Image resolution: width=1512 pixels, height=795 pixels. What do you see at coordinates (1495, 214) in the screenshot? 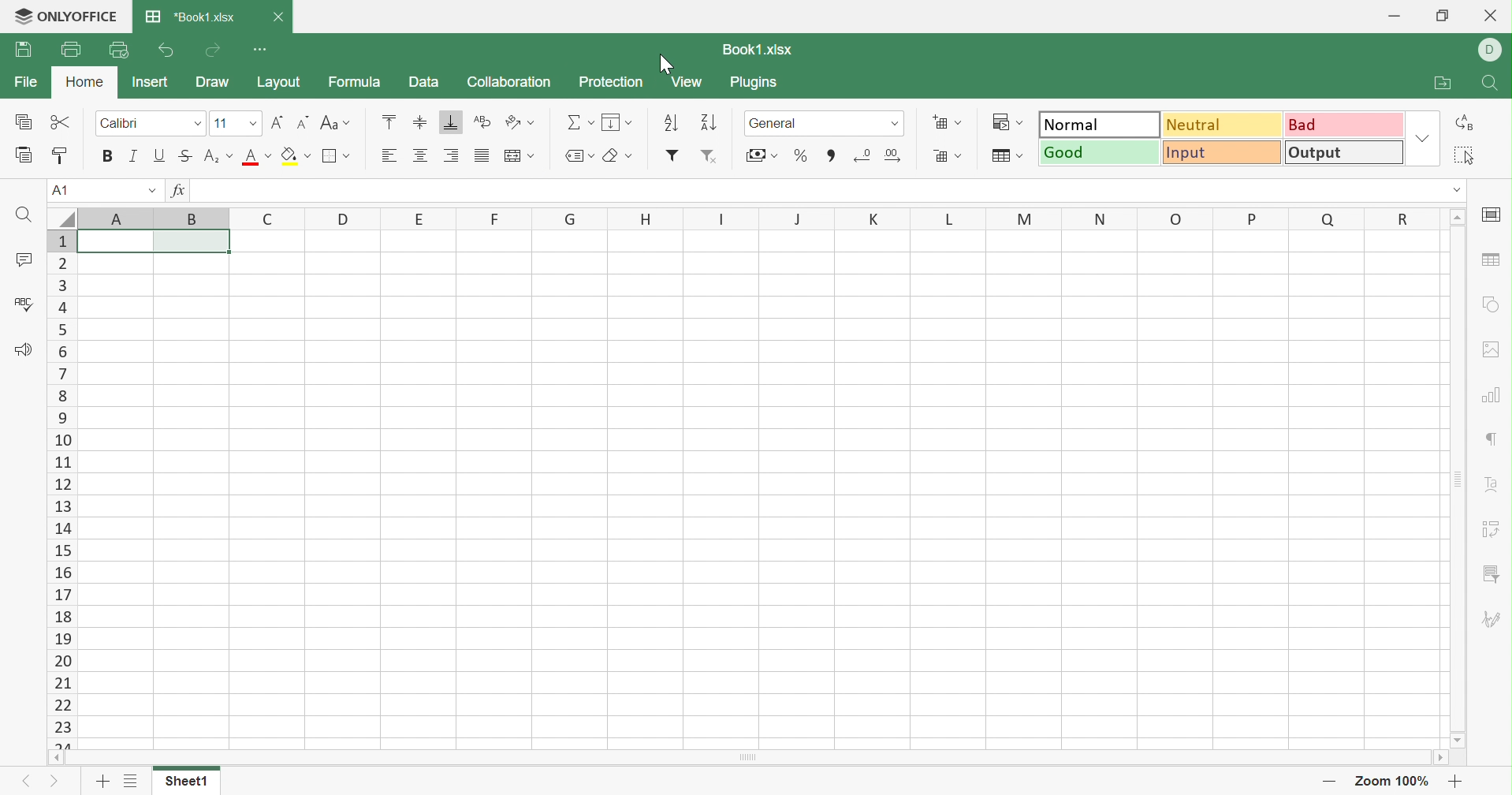
I see `cell settings` at bounding box center [1495, 214].